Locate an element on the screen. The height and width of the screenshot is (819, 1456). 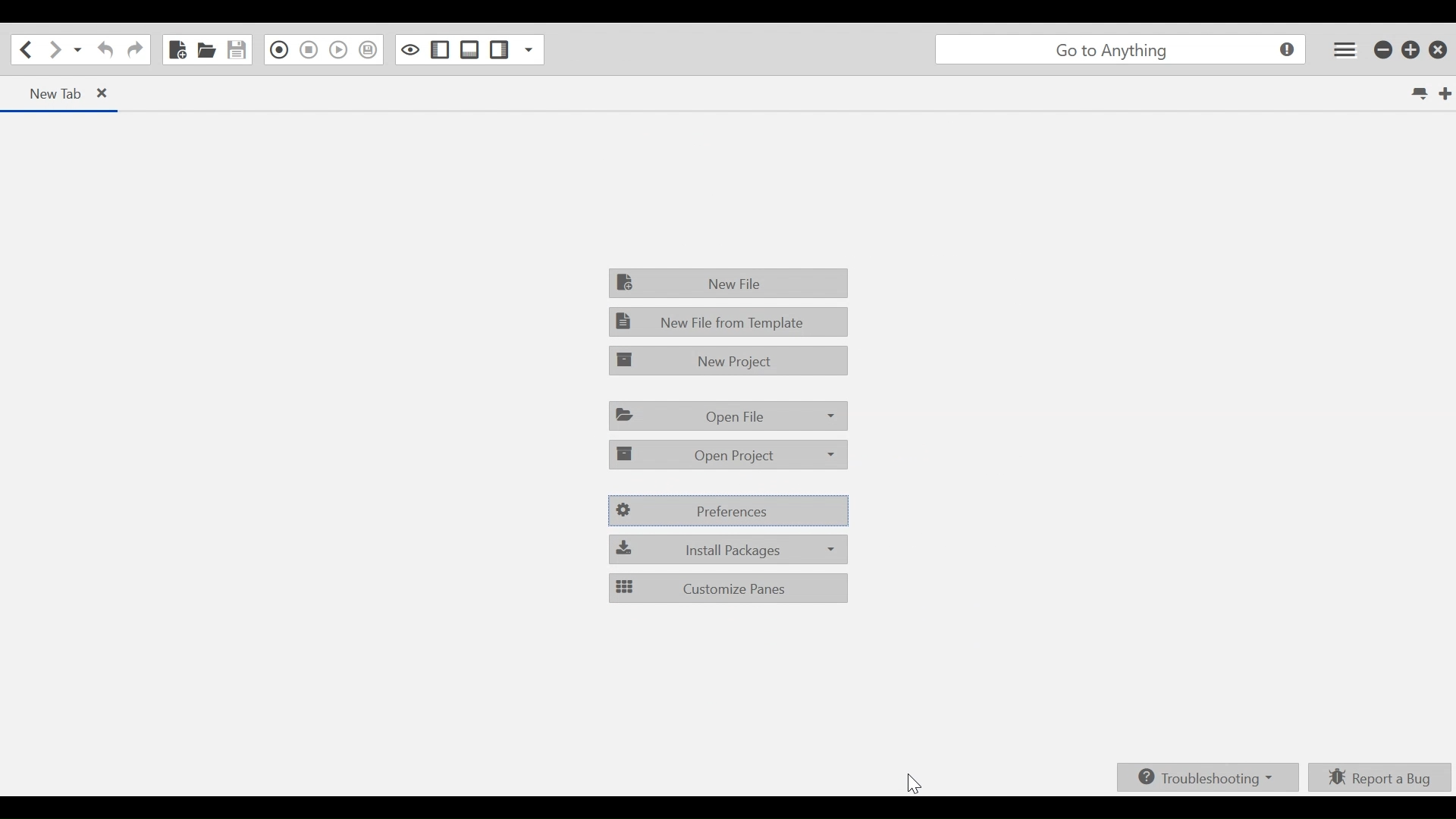
Go forward one location is located at coordinates (54, 50).